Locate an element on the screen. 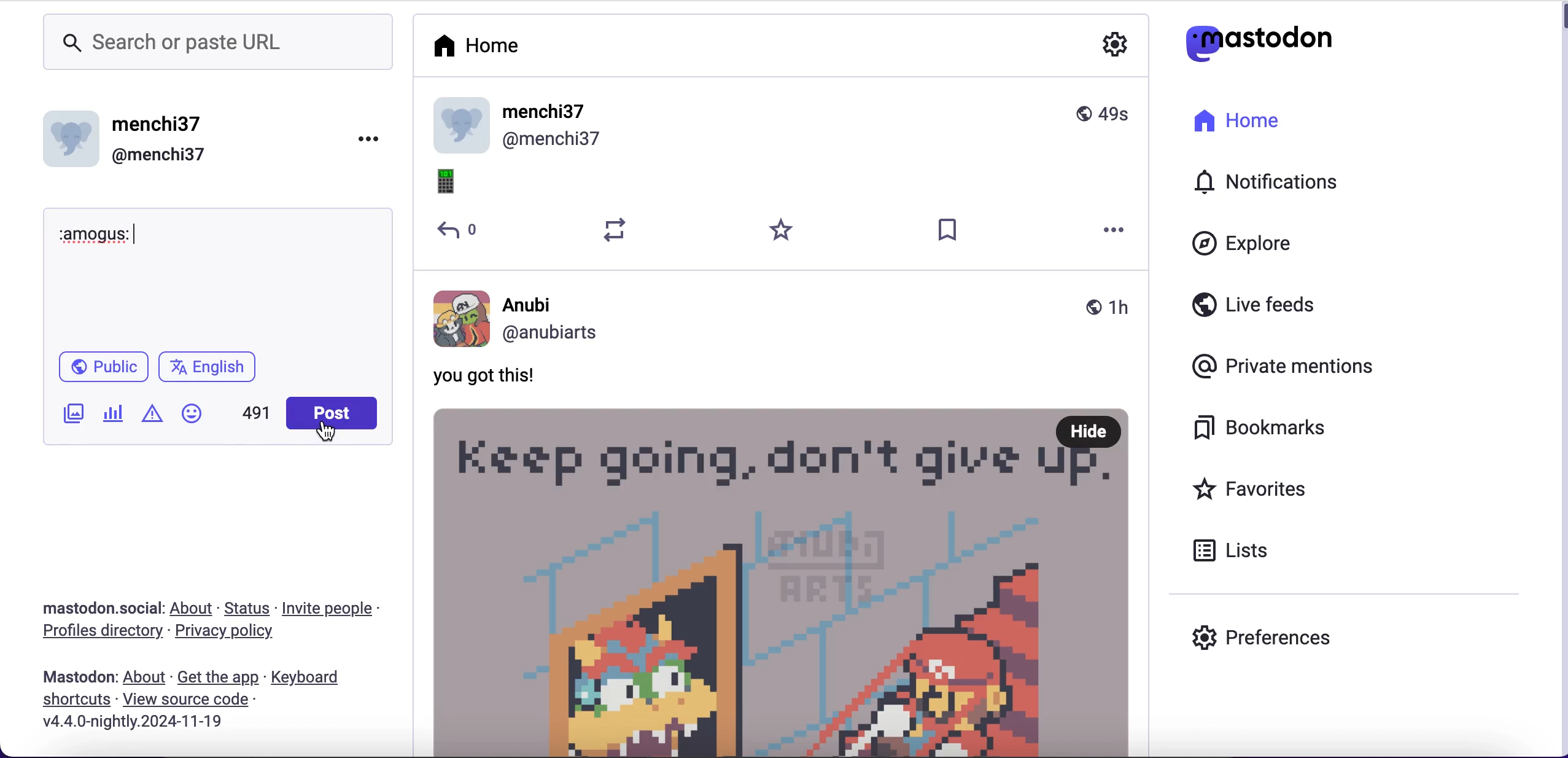 This screenshot has width=1568, height=758. bookmarks is located at coordinates (1264, 430).